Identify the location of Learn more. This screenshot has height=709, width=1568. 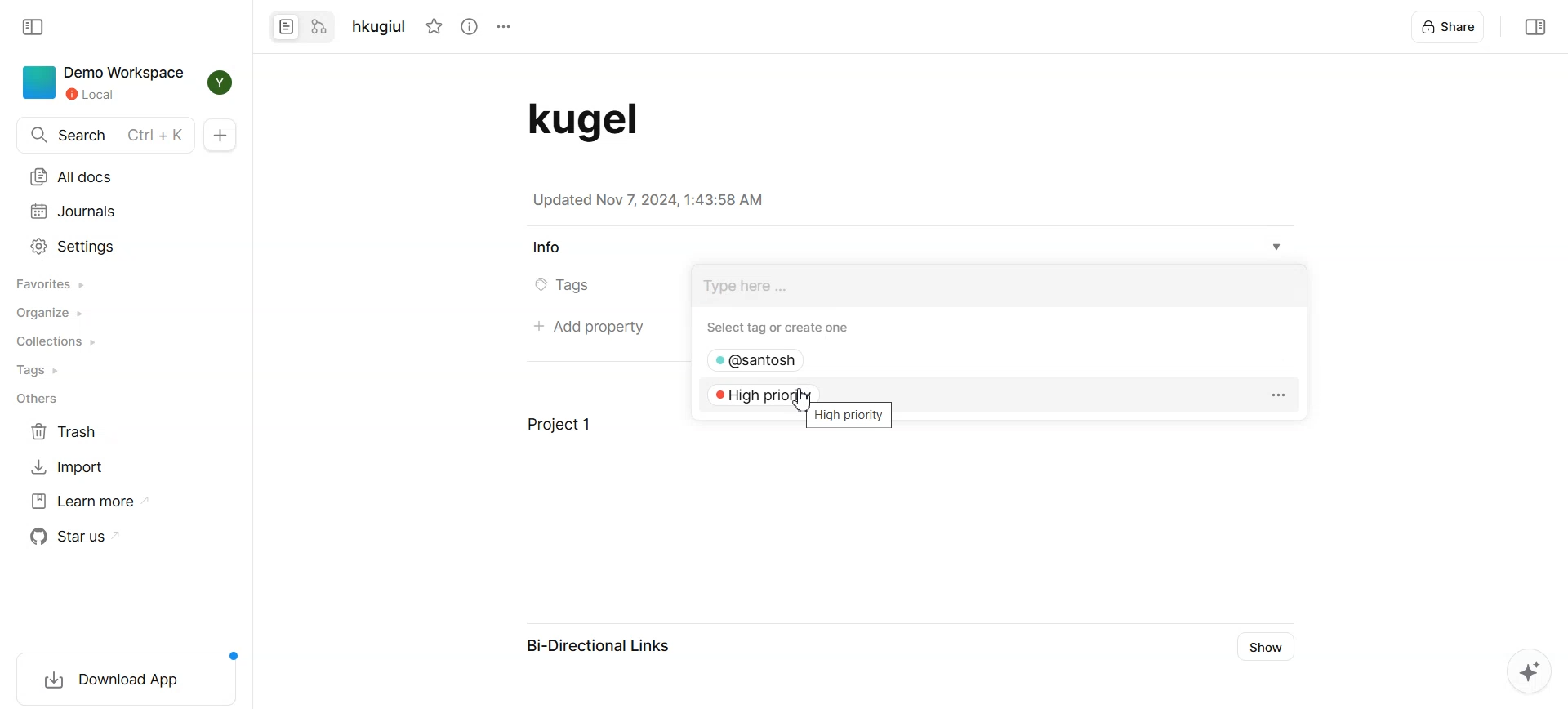
(89, 502).